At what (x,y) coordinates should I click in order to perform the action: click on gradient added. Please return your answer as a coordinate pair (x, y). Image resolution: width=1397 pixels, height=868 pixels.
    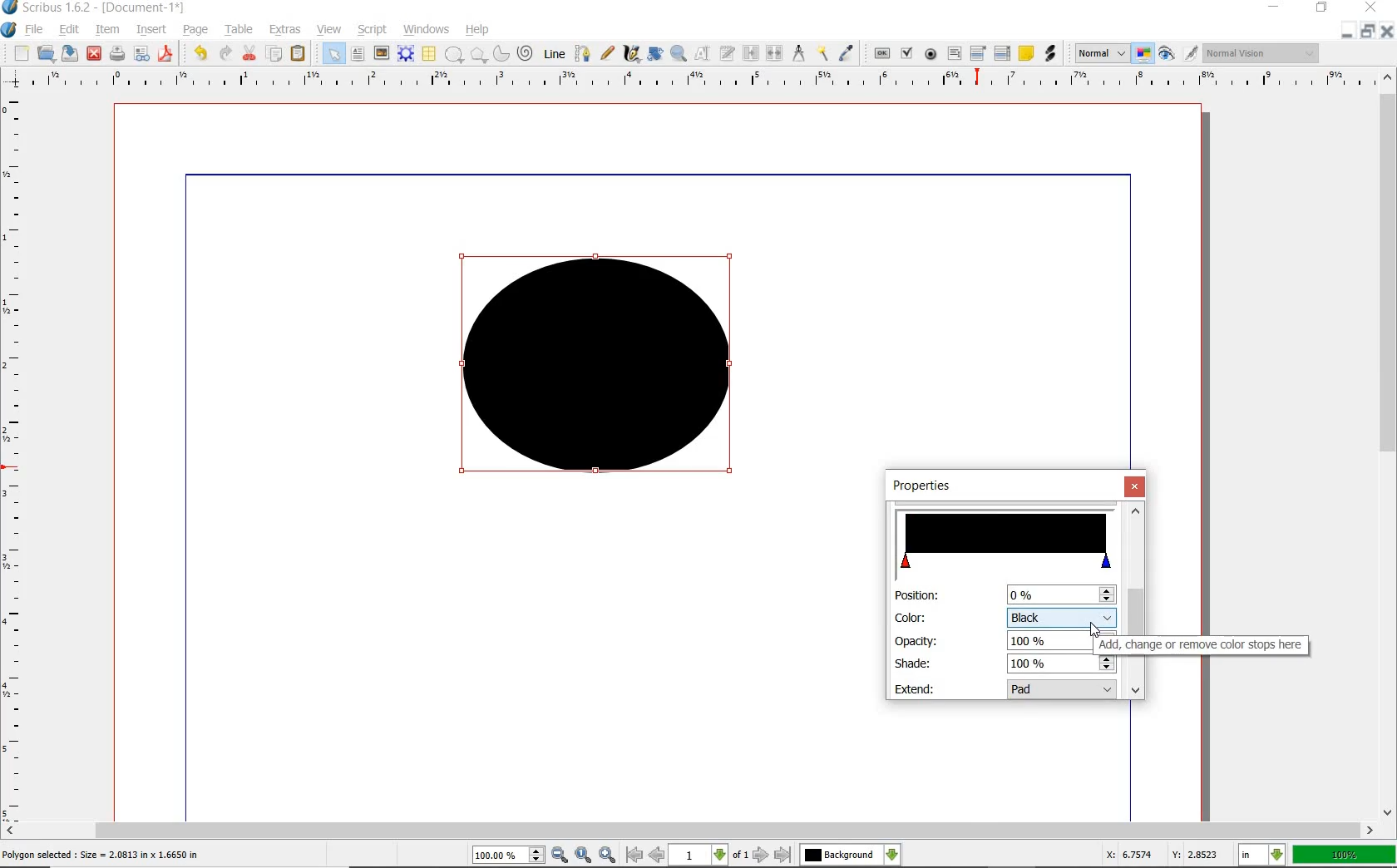
    Looking at the image, I should click on (601, 372).